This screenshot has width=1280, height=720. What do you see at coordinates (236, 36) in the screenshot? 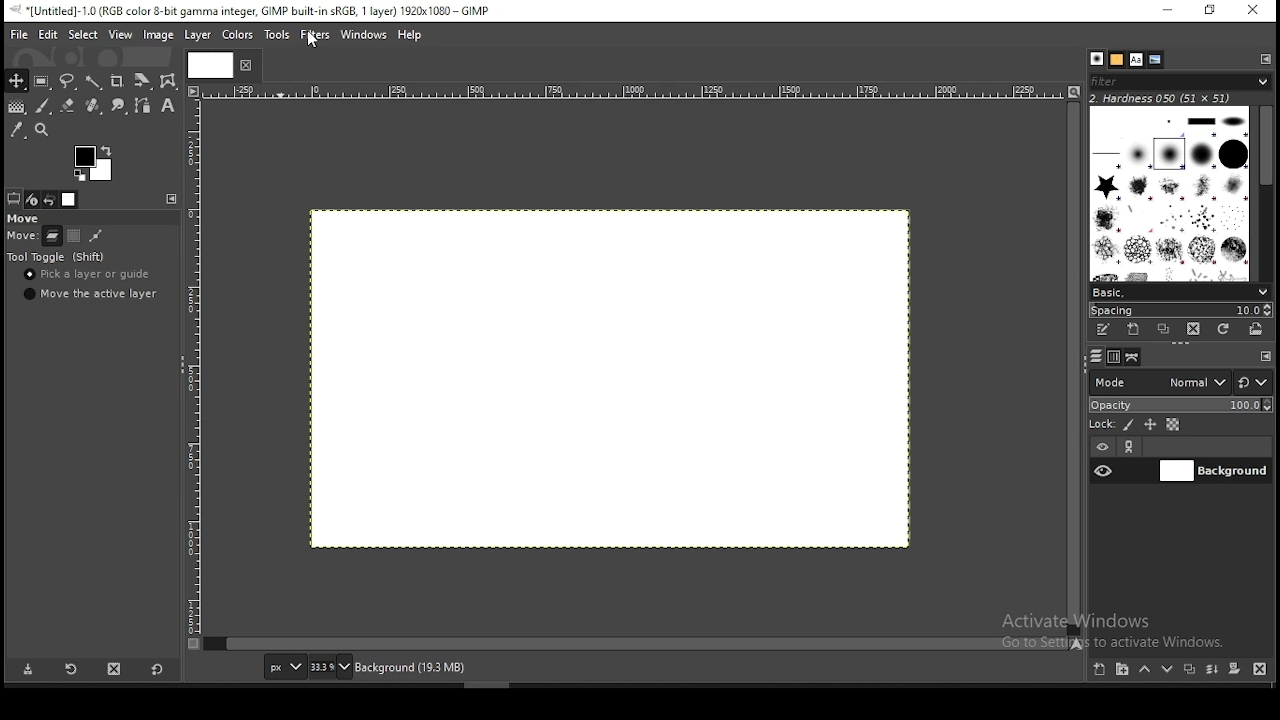
I see `colors` at bounding box center [236, 36].